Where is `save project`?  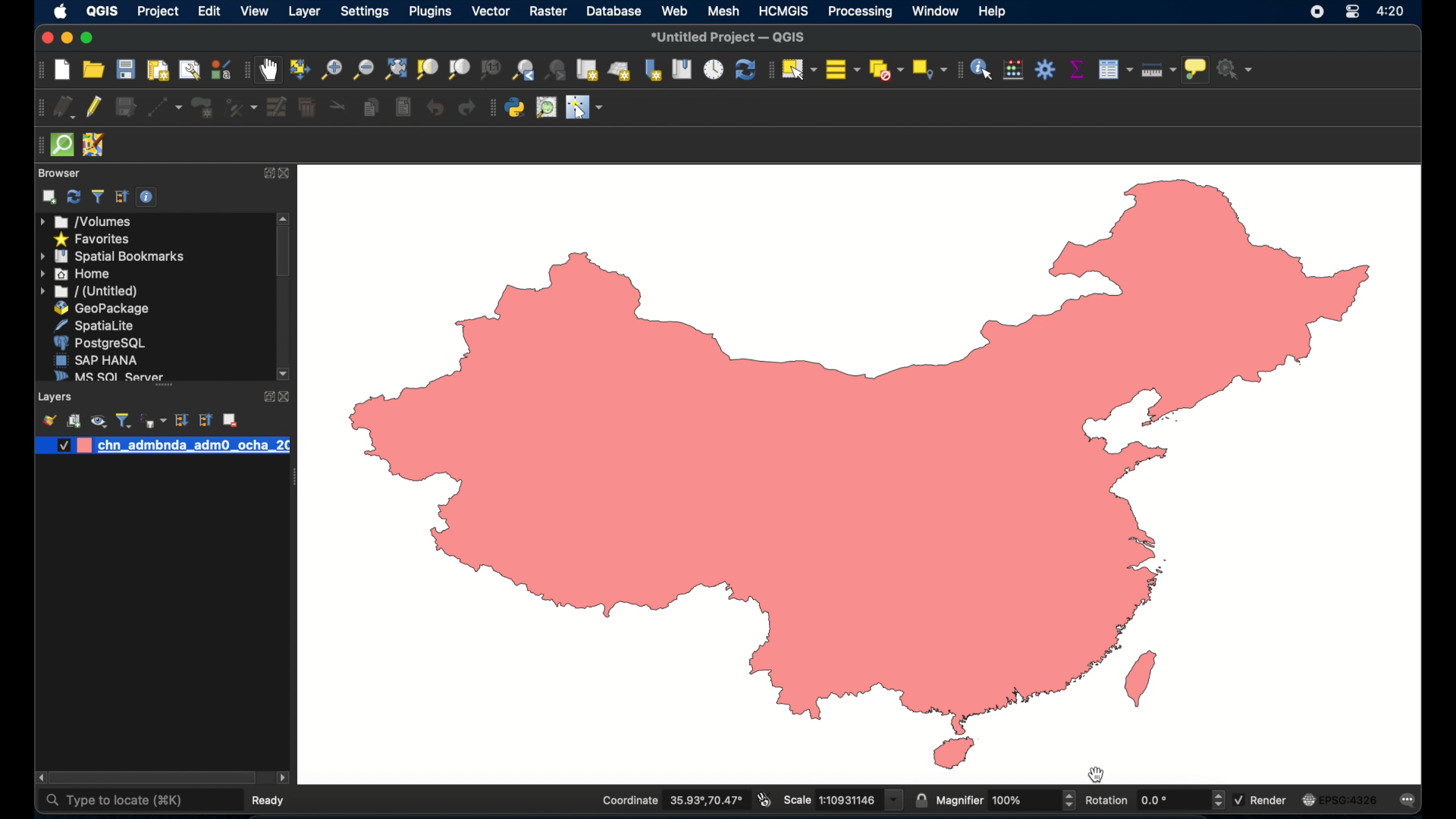 save project is located at coordinates (124, 69).